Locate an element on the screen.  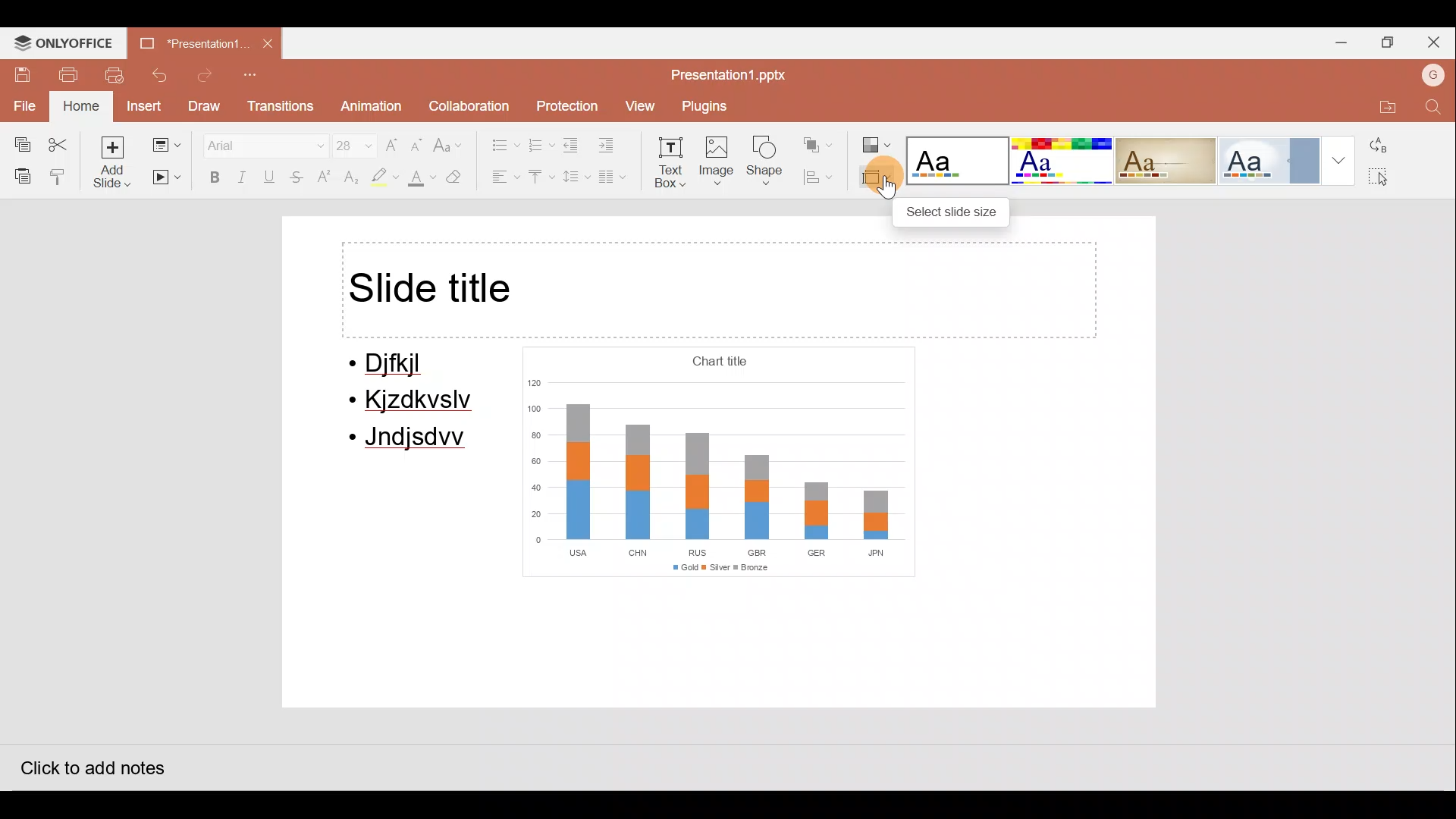
Theme 2 is located at coordinates (1065, 161).